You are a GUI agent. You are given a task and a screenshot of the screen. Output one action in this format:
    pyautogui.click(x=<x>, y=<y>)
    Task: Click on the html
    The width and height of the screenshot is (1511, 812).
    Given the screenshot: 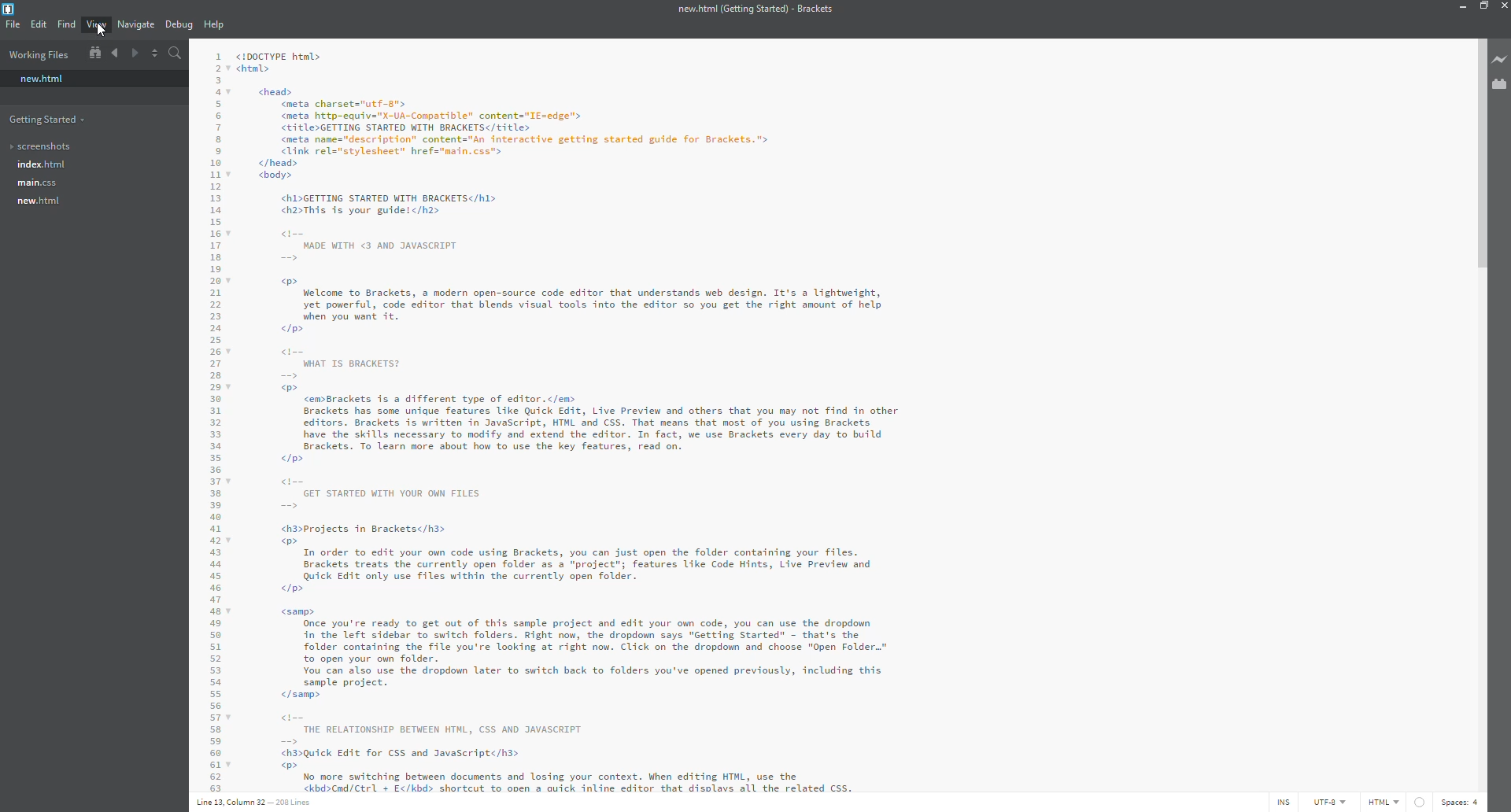 What is the action you would take?
    pyautogui.click(x=1397, y=802)
    